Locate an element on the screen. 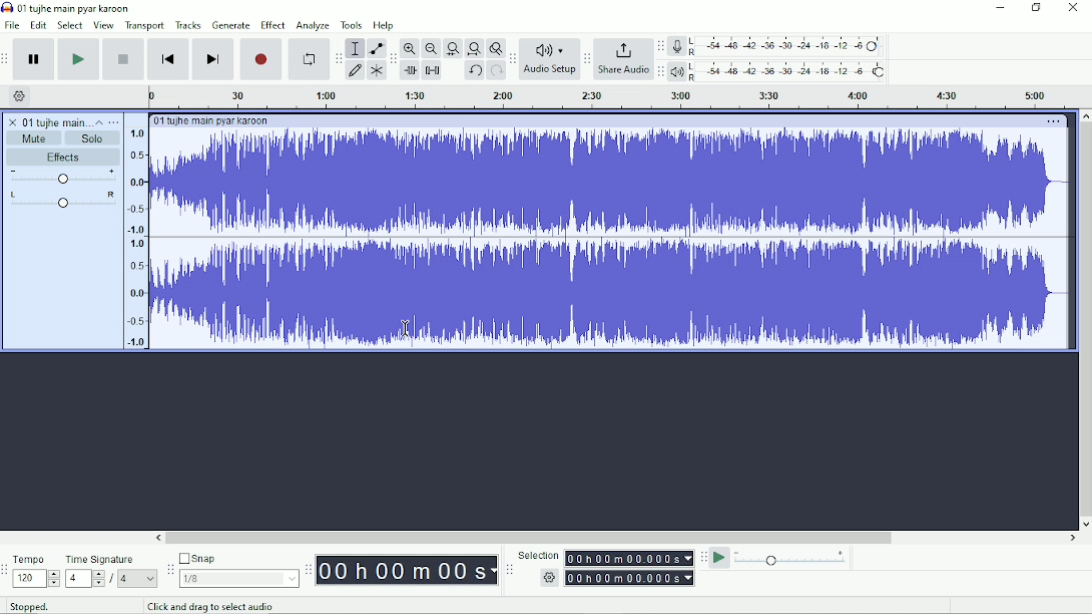  Solo is located at coordinates (95, 138).